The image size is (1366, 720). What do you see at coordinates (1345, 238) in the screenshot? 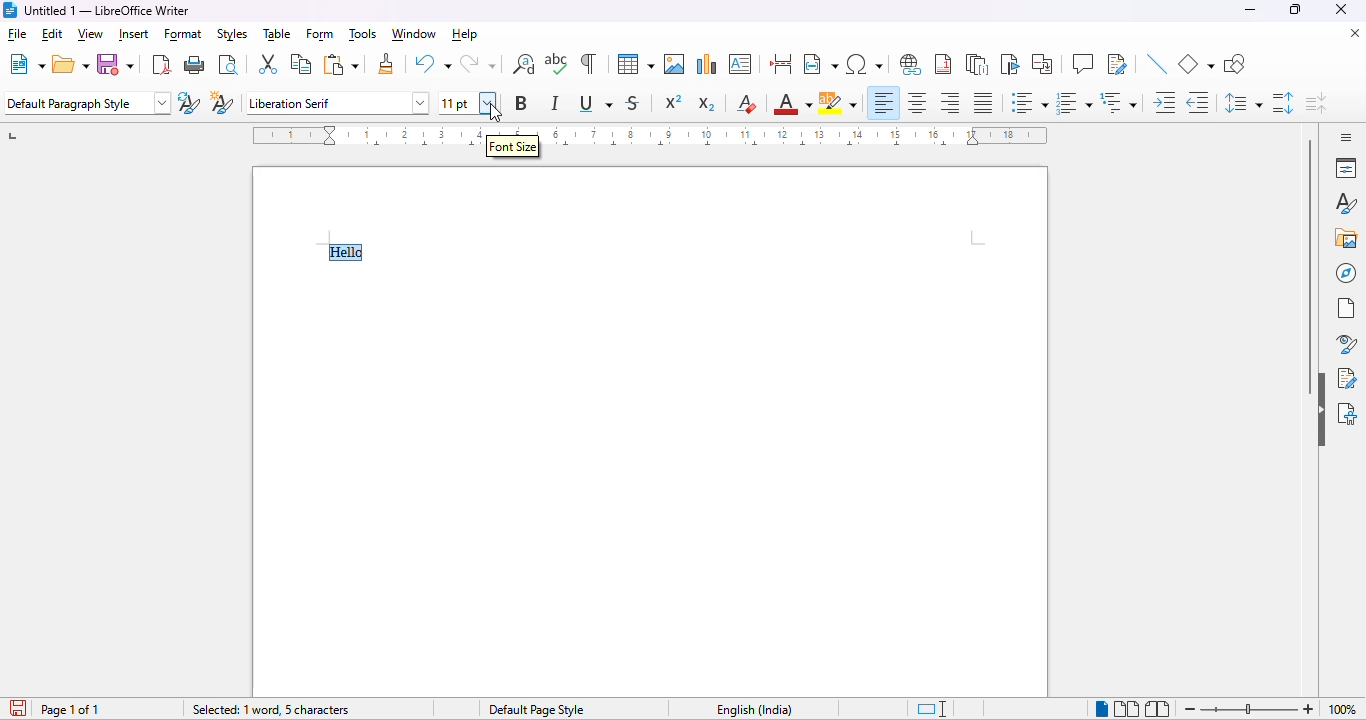
I see `gallery` at bounding box center [1345, 238].